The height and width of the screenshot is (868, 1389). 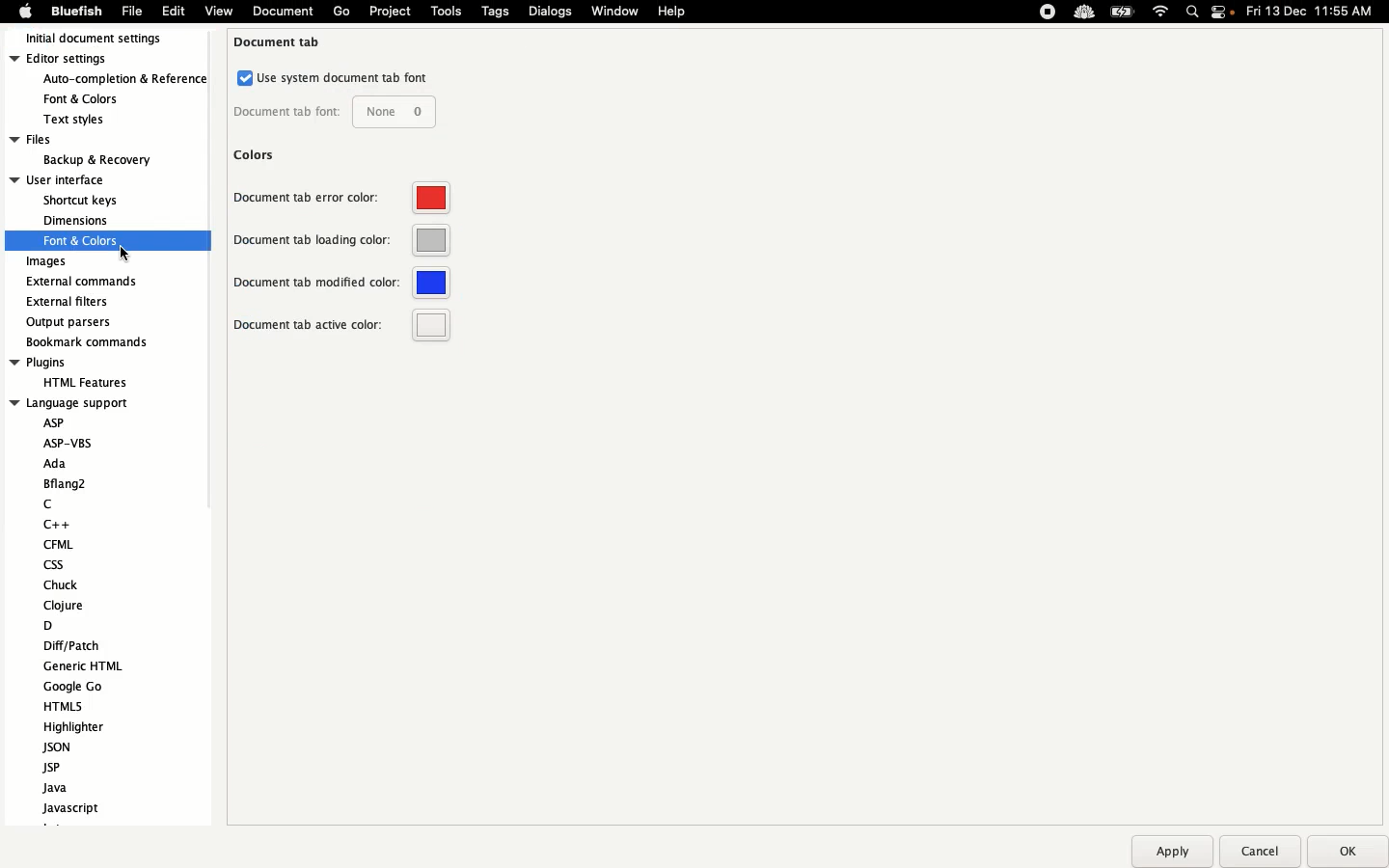 What do you see at coordinates (89, 340) in the screenshot?
I see `Bookmark recommends` at bounding box center [89, 340].